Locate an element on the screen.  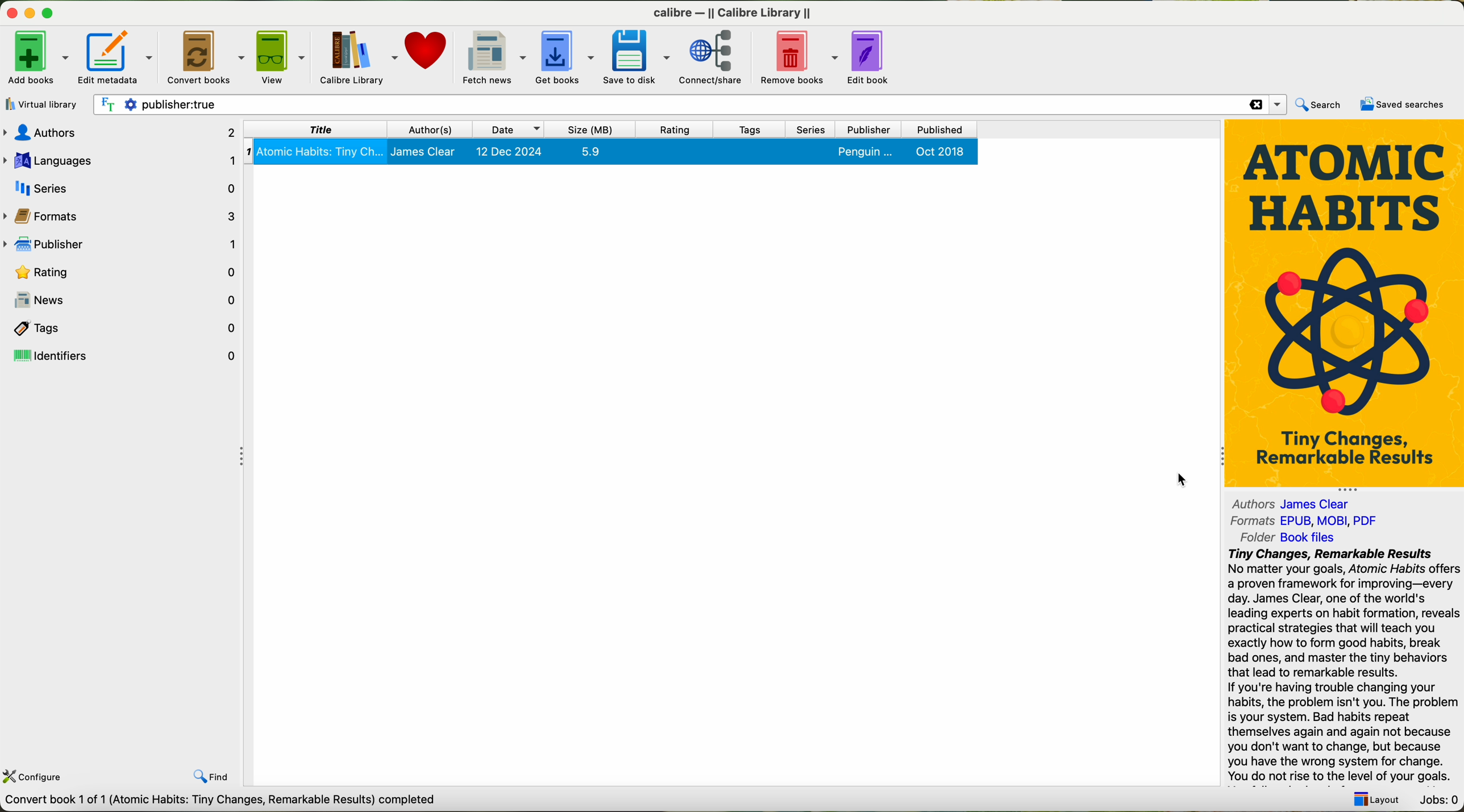
news is located at coordinates (123, 301).